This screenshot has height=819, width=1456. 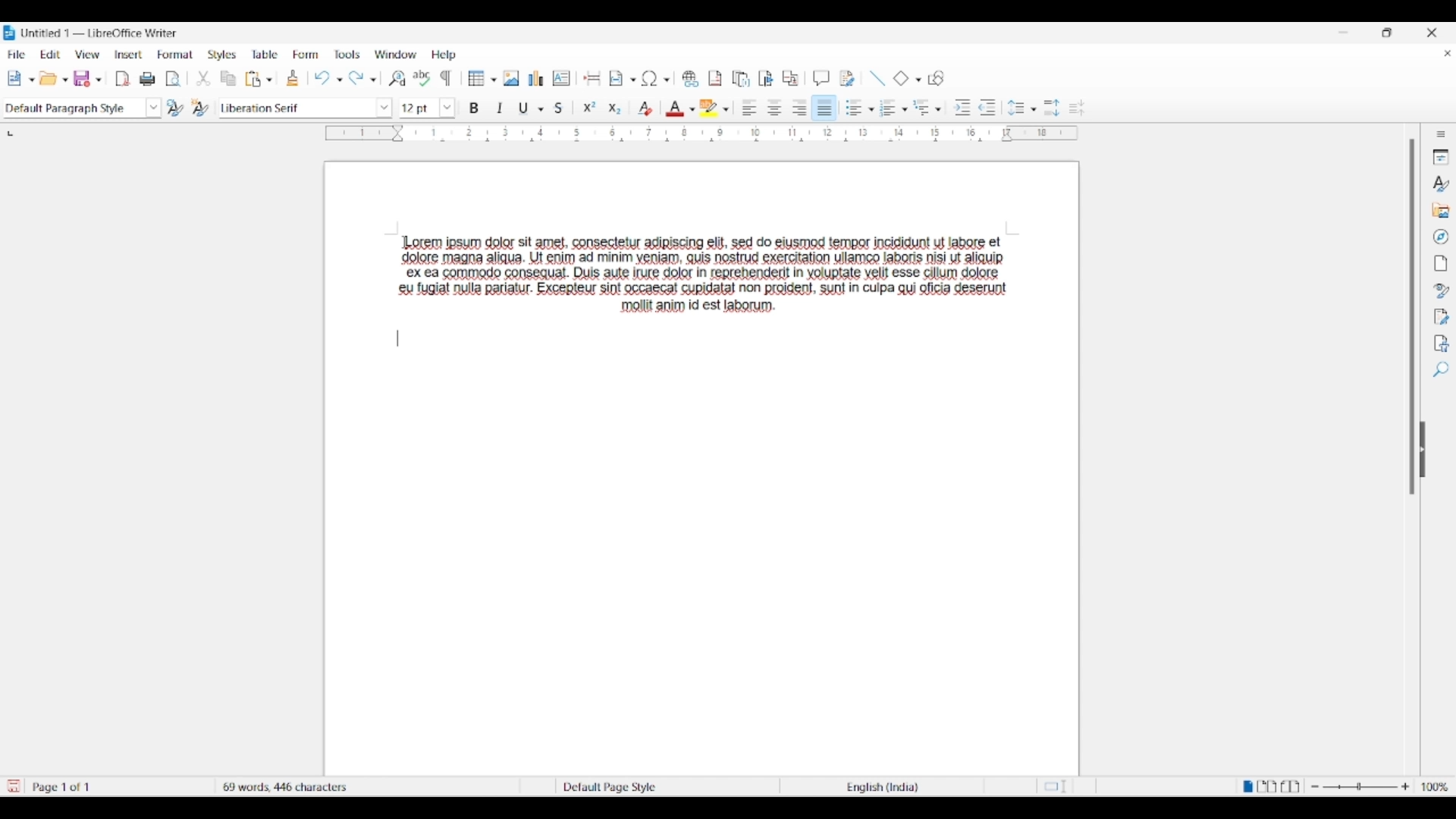 I want to click on Insert field, so click(x=617, y=79).